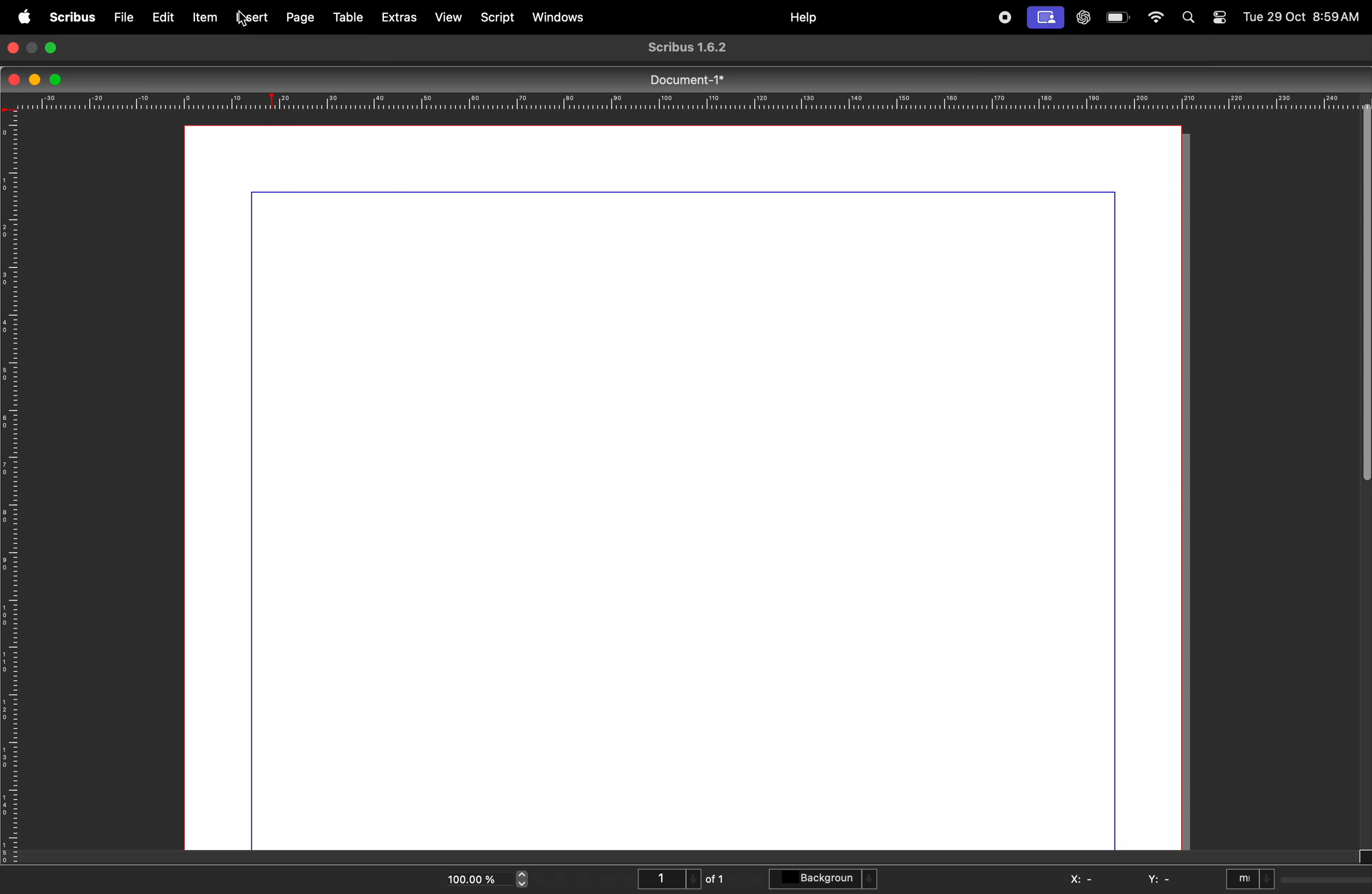 This screenshot has height=894, width=1372. Describe the element at coordinates (400, 17) in the screenshot. I see `extras` at that location.